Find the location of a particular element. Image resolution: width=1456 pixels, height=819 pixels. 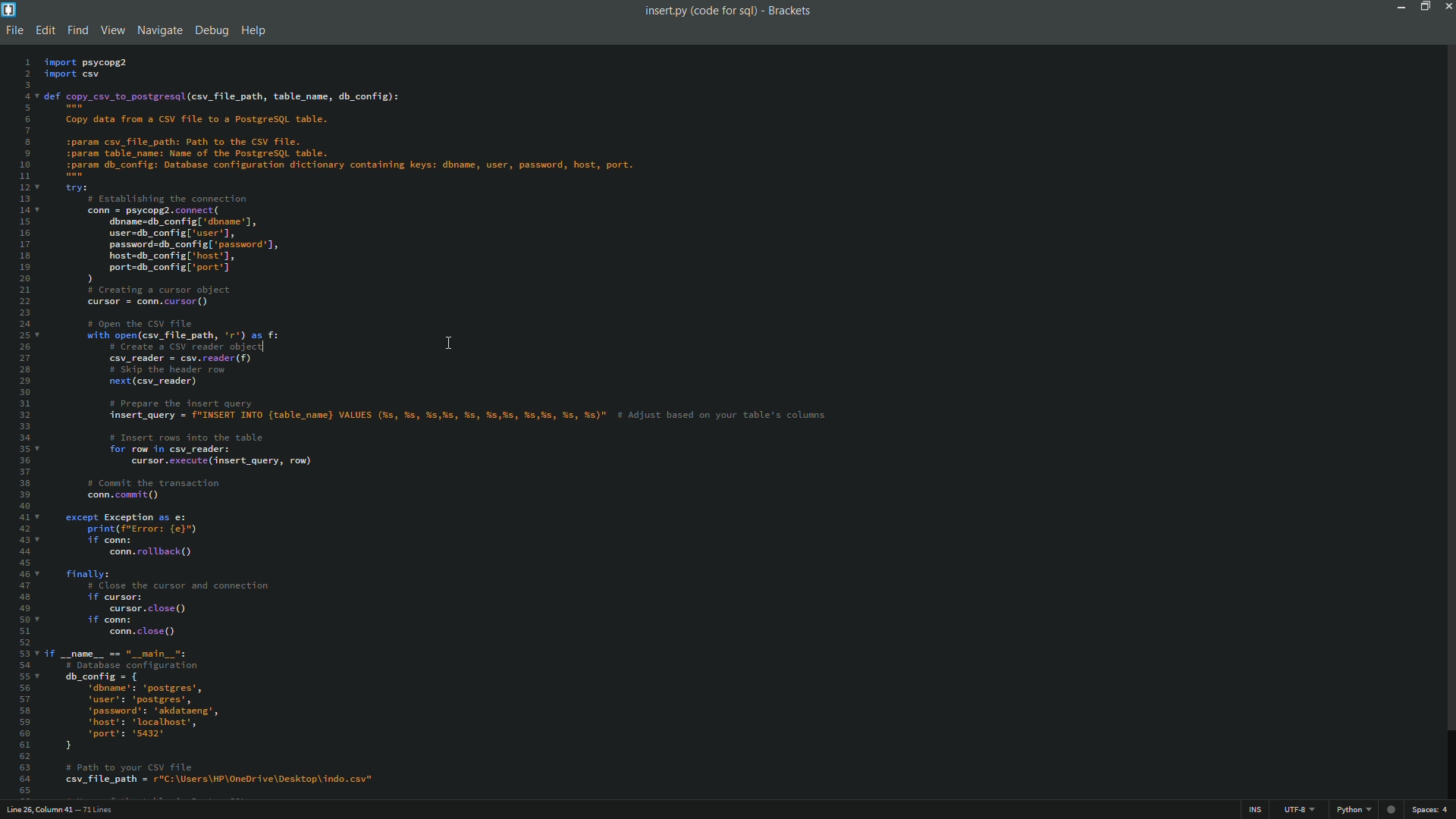

file name is located at coordinates (665, 11).